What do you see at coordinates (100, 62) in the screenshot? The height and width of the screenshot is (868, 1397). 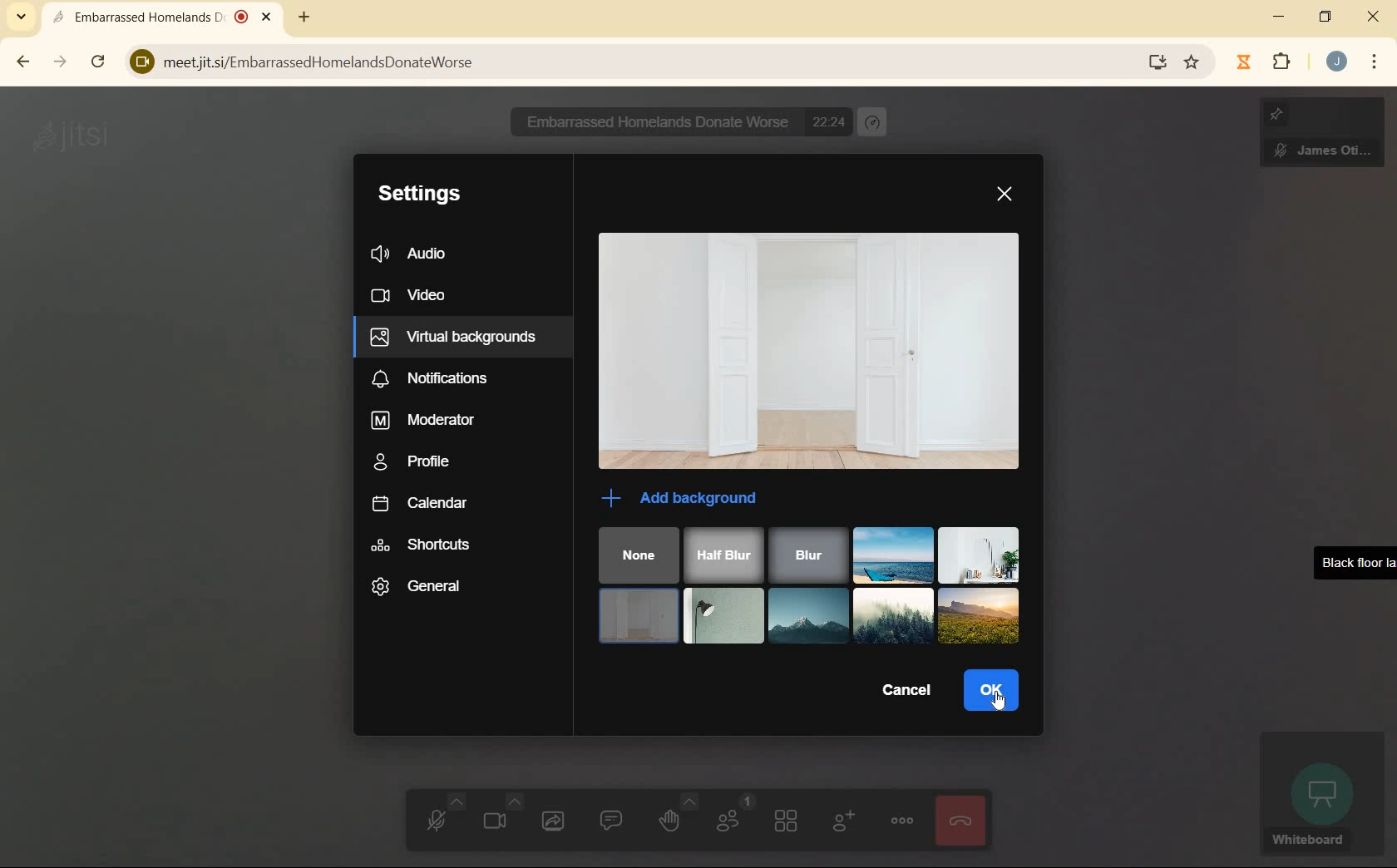 I see `reload` at bounding box center [100, 62].